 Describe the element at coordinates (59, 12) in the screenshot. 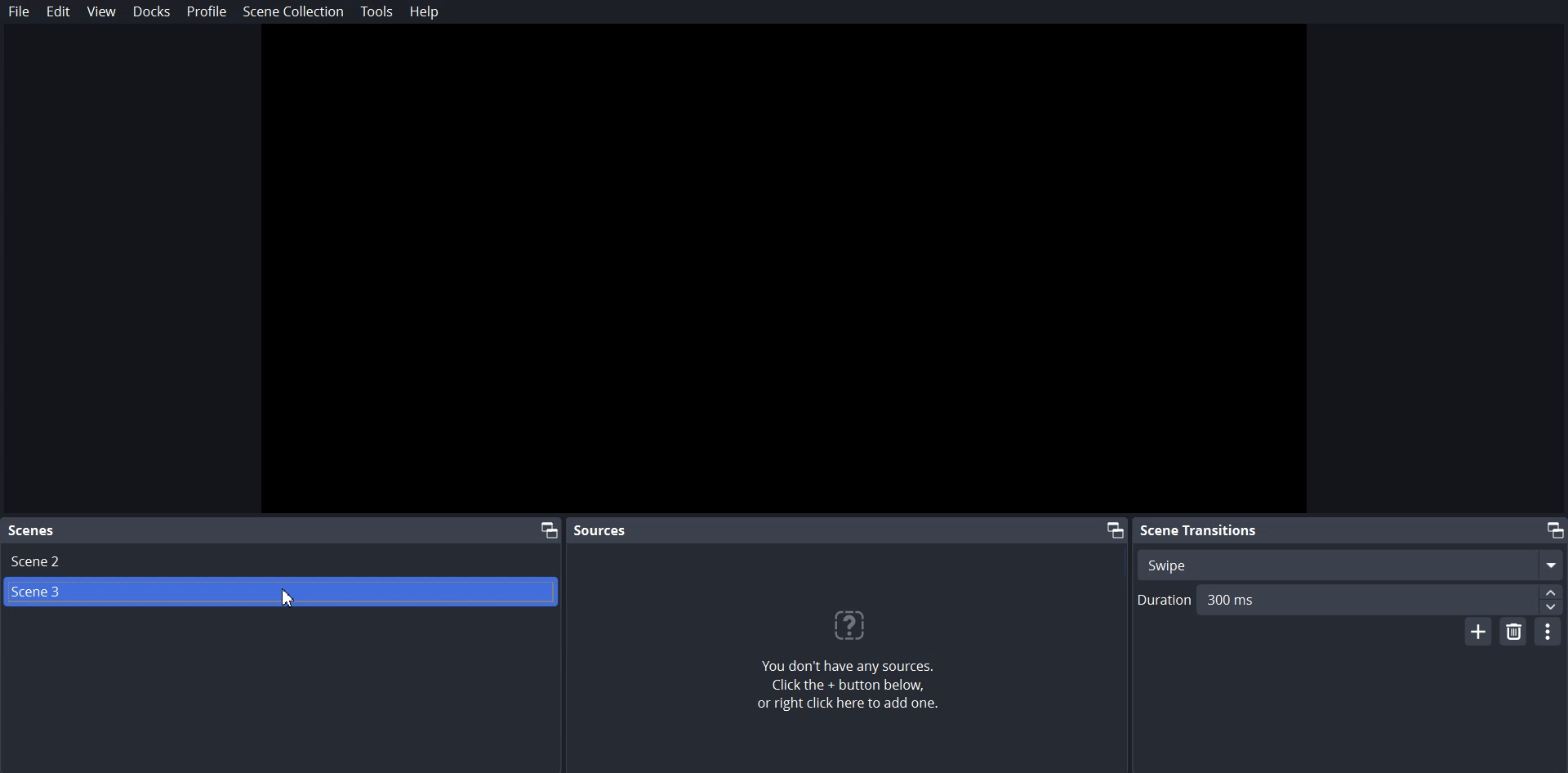

I see `Edit` at that location.